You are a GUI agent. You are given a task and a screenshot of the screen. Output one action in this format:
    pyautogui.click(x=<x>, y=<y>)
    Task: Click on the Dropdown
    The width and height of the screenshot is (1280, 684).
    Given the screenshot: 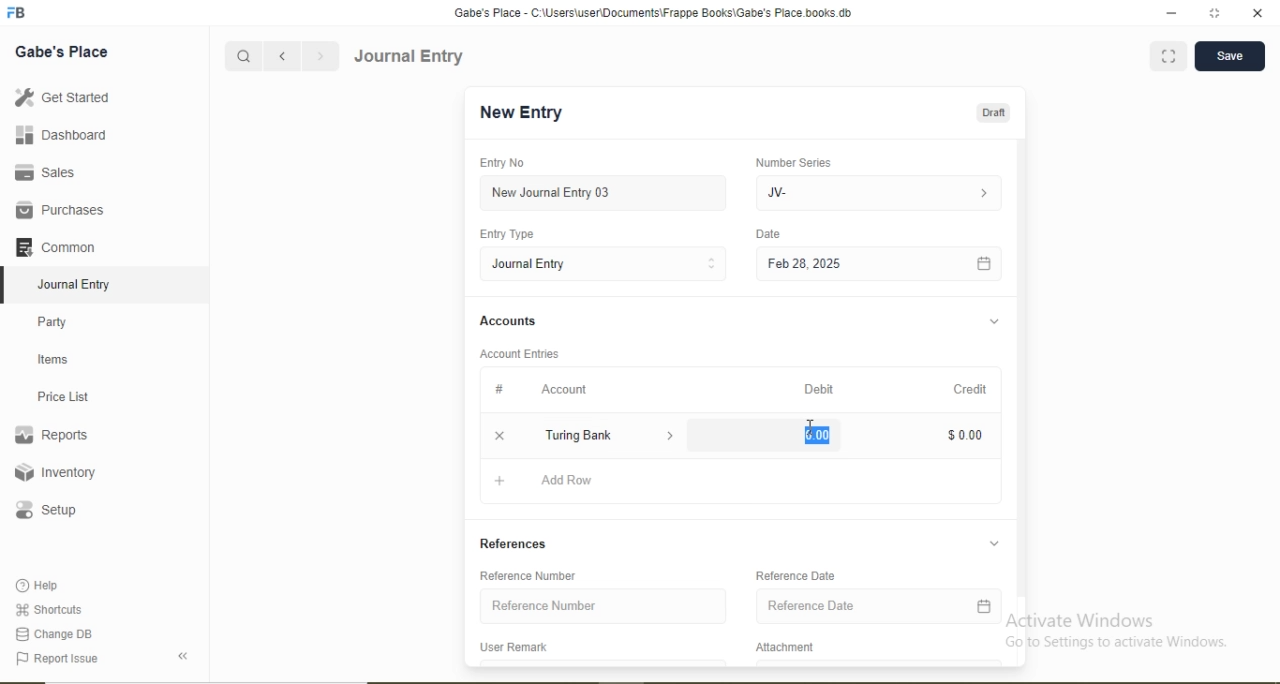 What is the action you would take?
    pyautogui.click(x=672, y=436)
    